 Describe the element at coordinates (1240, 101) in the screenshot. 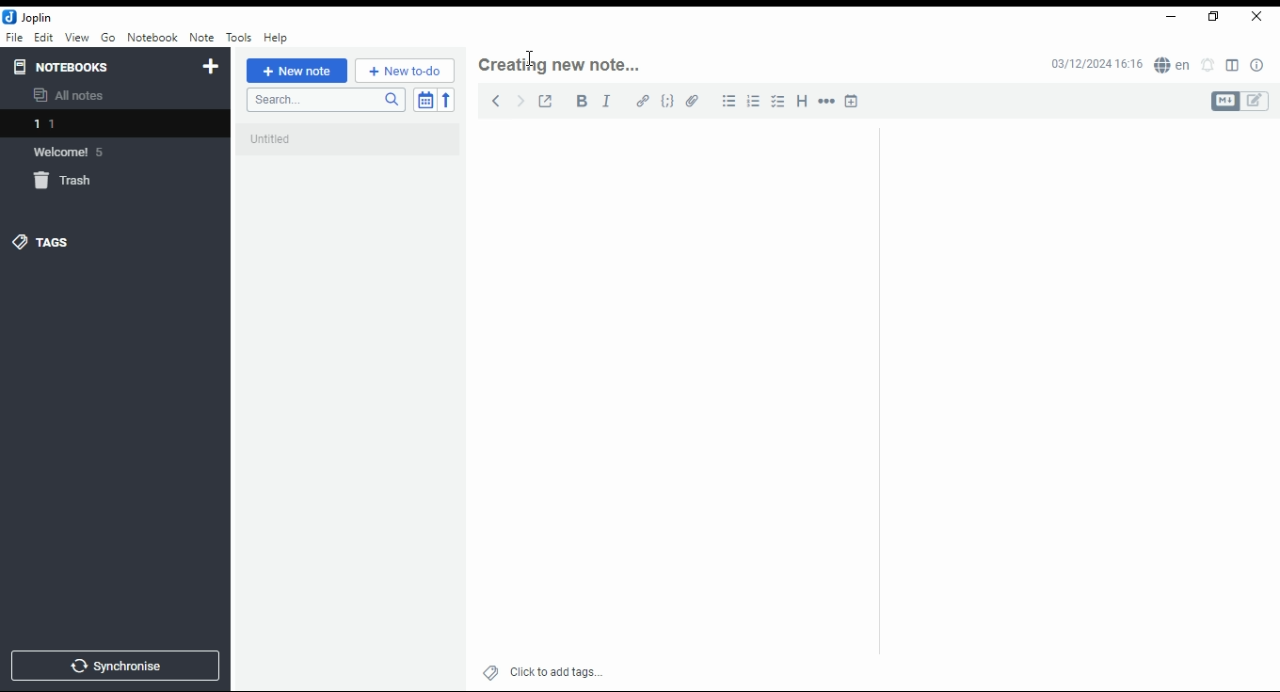

I see `toggle editors` at that location.